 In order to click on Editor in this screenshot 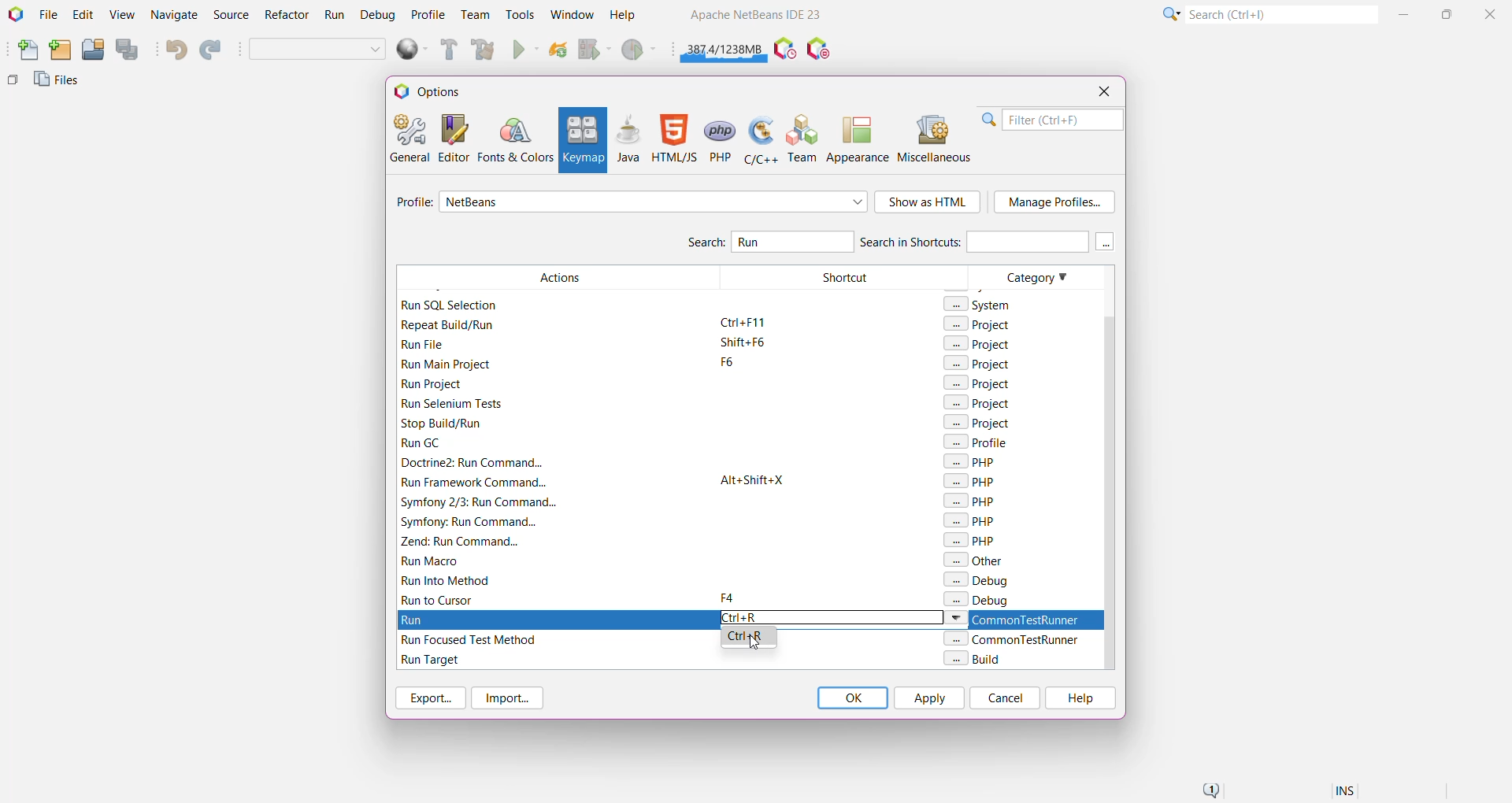, I will do `click(450, 138)`.